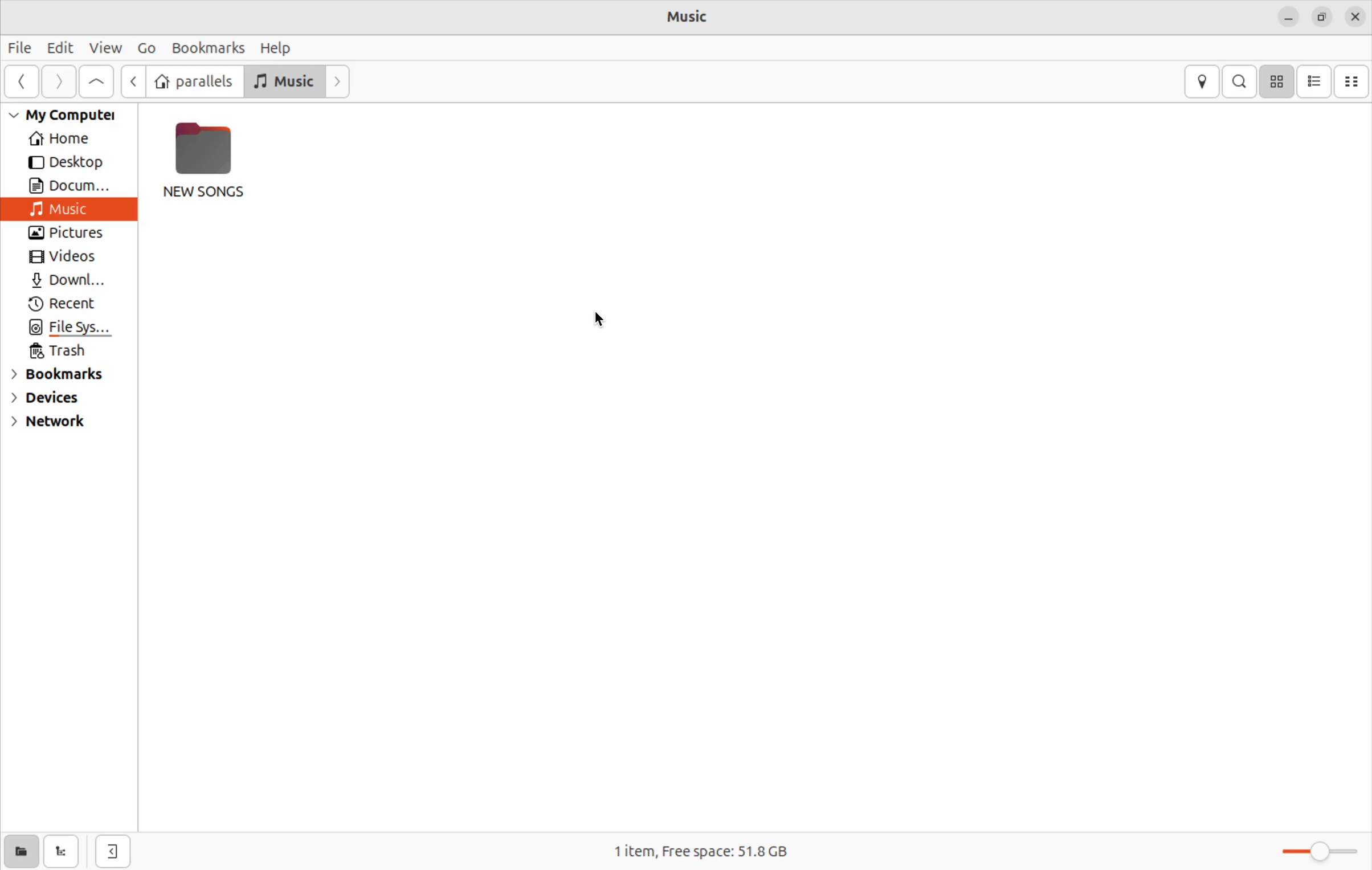 The width and height of the screenshot is (1372, 870). I want to click on 1 item free space 51.8 GB, so click(706, 847).